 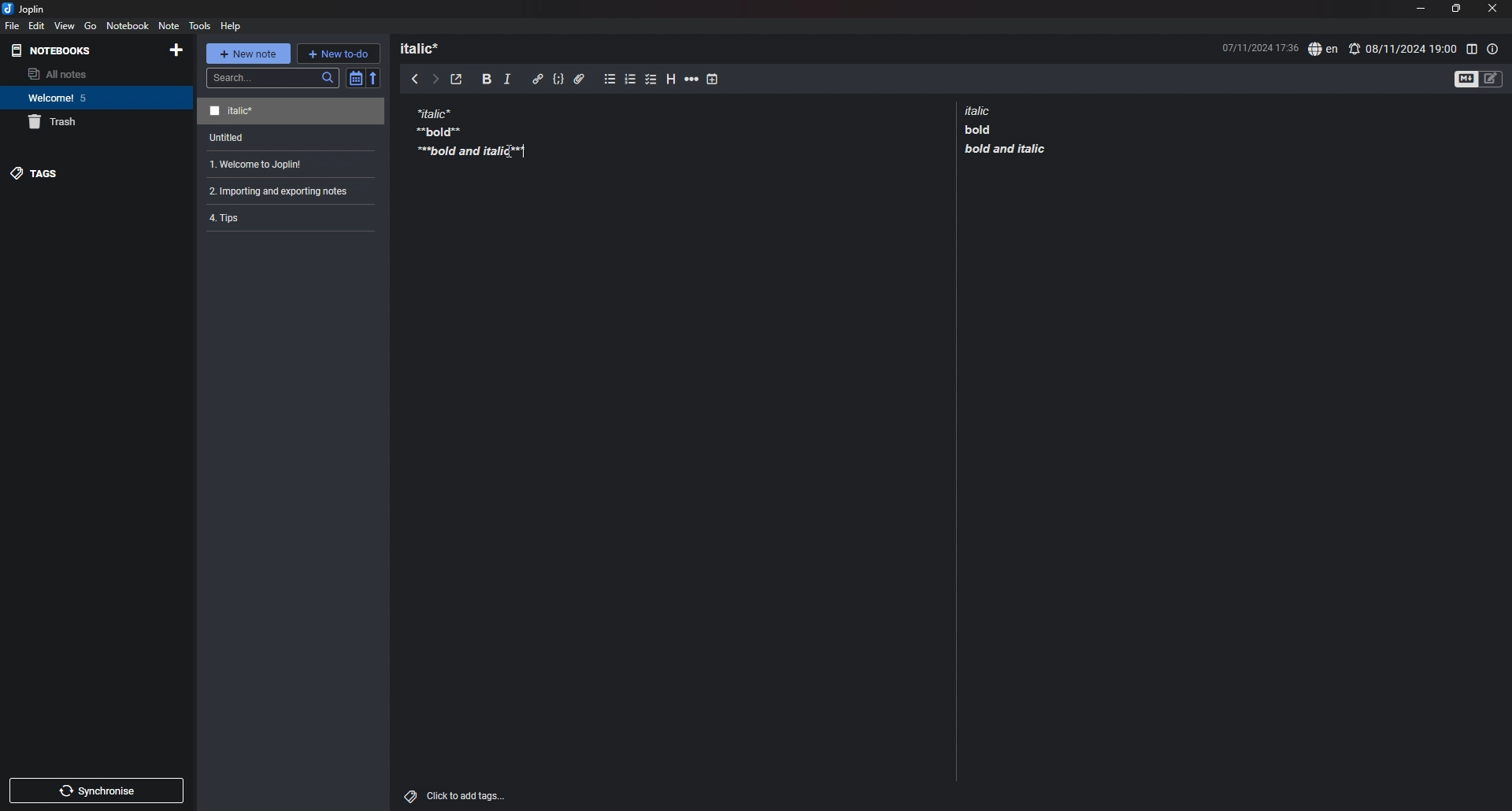 I want to click on set alarm, so click(x=1403, y=48).